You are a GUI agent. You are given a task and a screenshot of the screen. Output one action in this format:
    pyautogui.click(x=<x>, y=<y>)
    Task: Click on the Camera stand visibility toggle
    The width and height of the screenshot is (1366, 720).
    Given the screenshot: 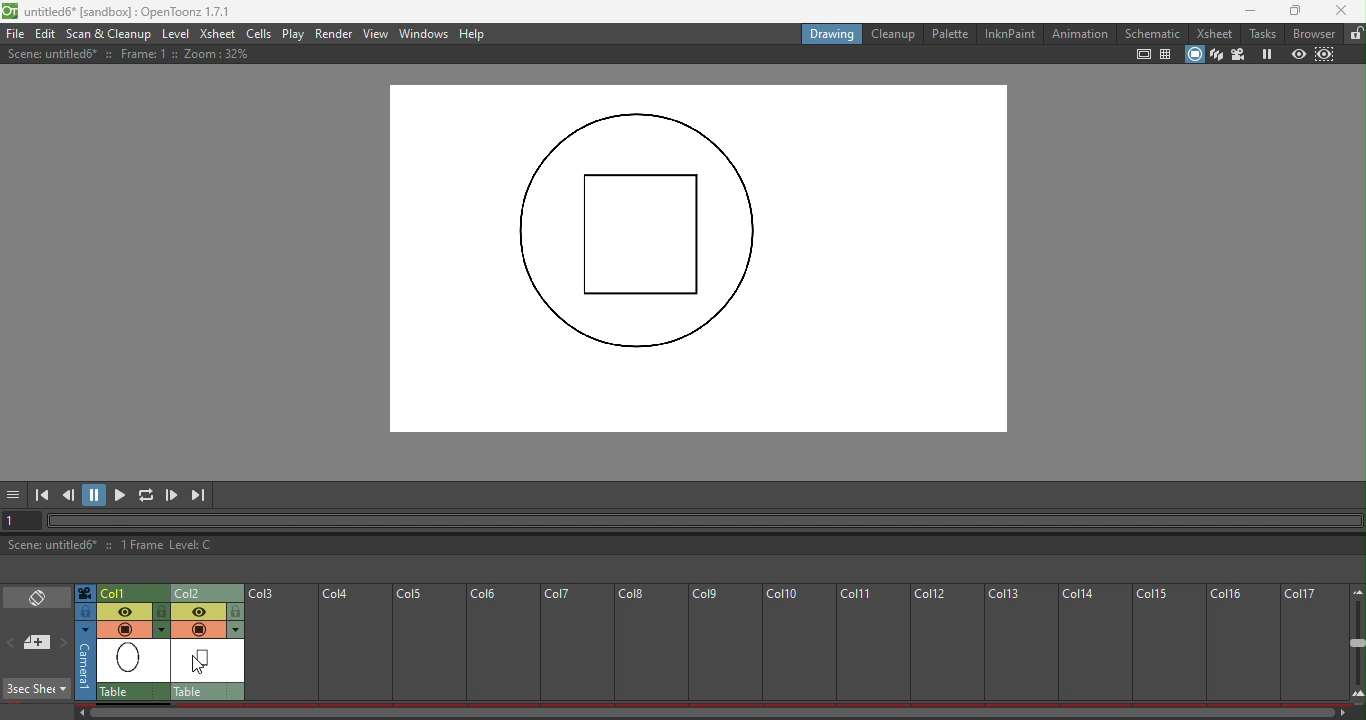 What is the action you would take?
    pyautogui.click(x=199, y=628)
    